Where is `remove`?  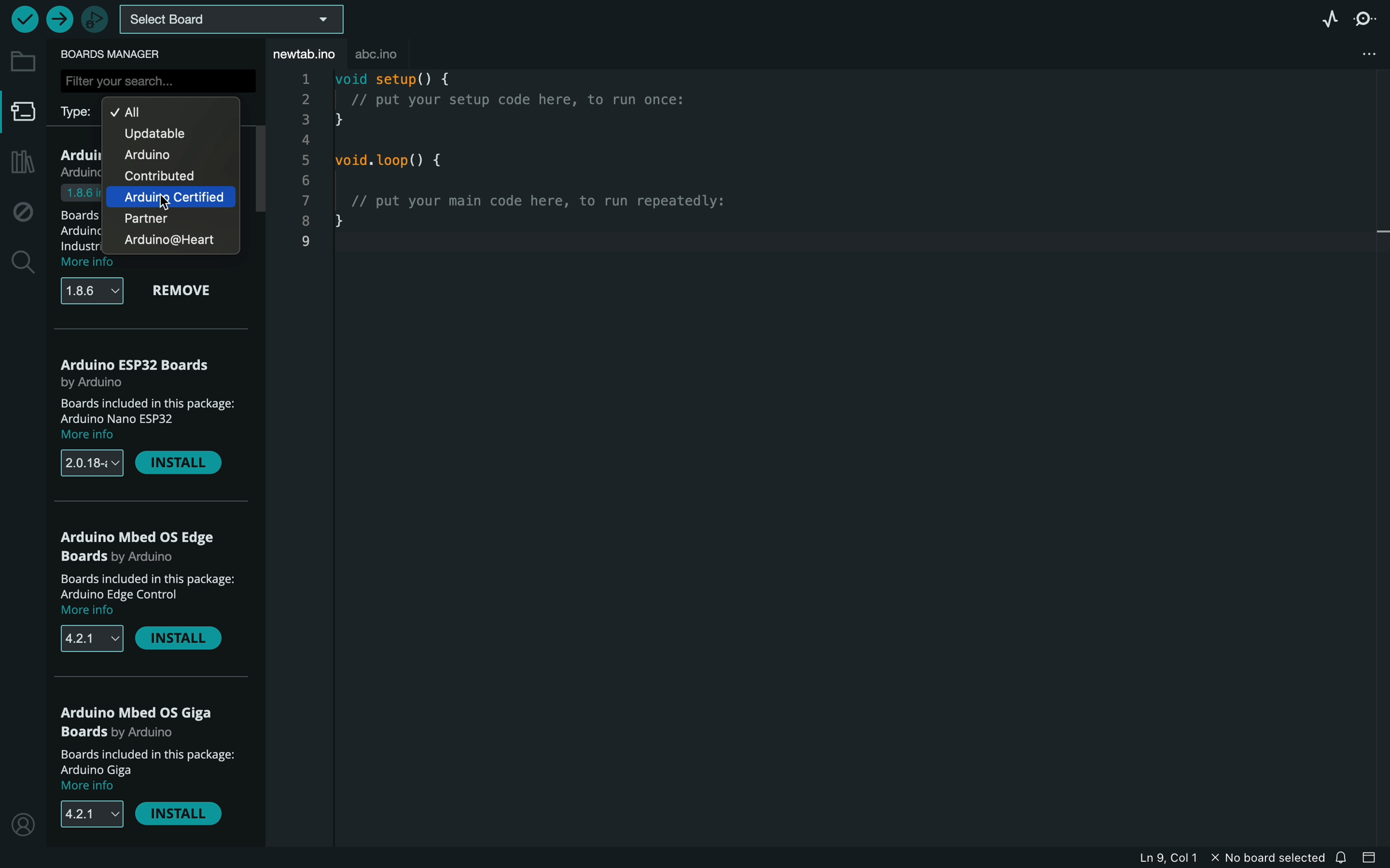 remove is located at coordinates (185, 291).